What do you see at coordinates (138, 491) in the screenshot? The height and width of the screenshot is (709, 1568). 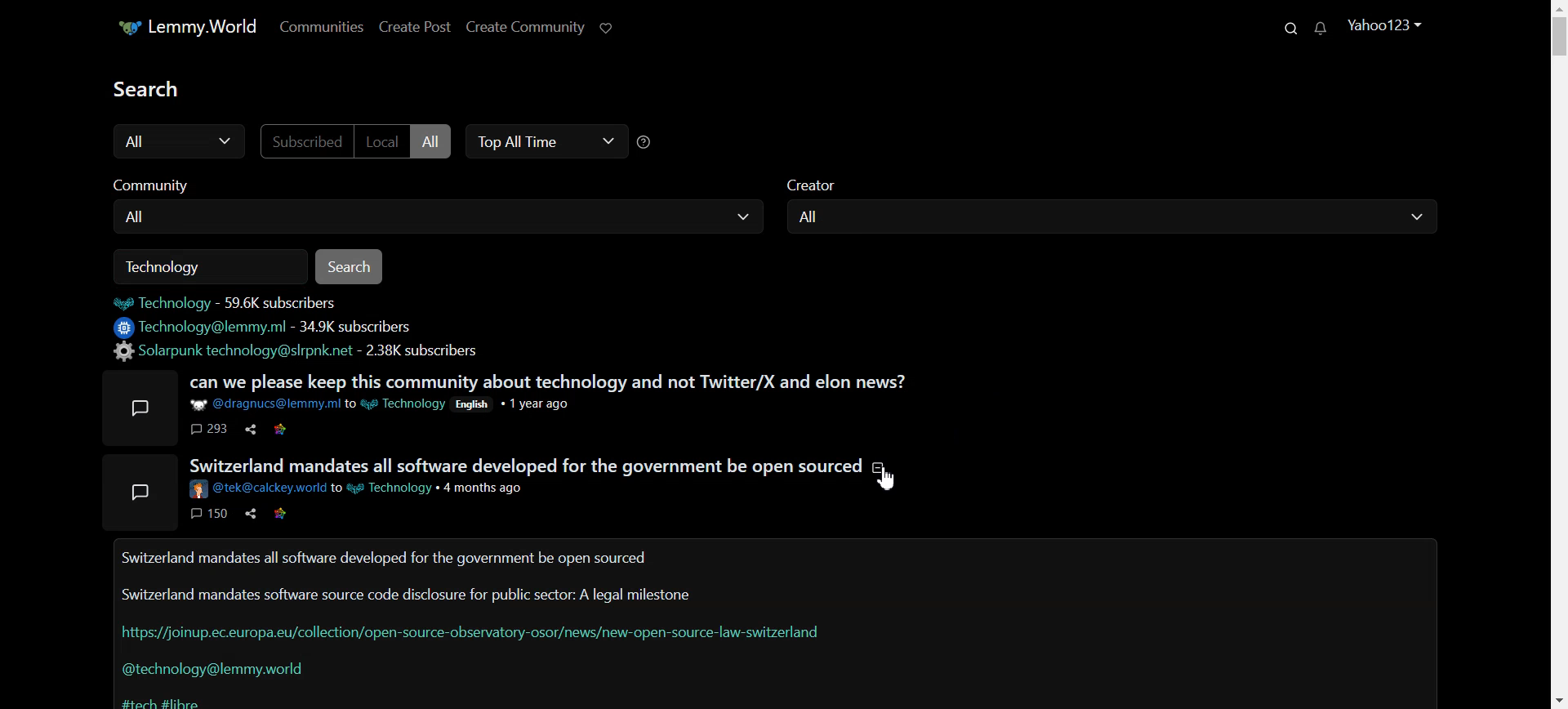 I see `post` at bounding box center [138, 491].